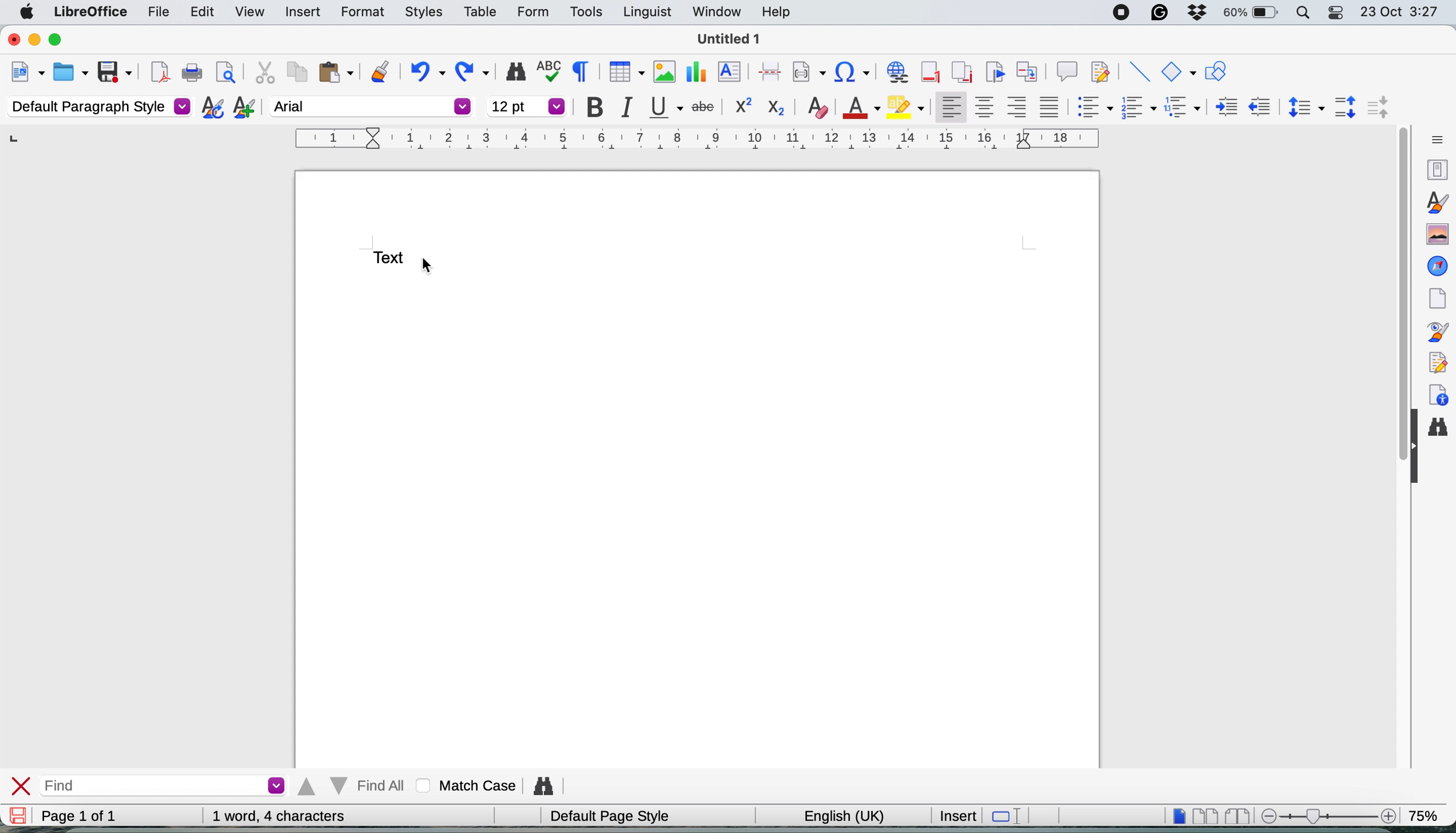  I want to click on spelling, so click(547, 70).